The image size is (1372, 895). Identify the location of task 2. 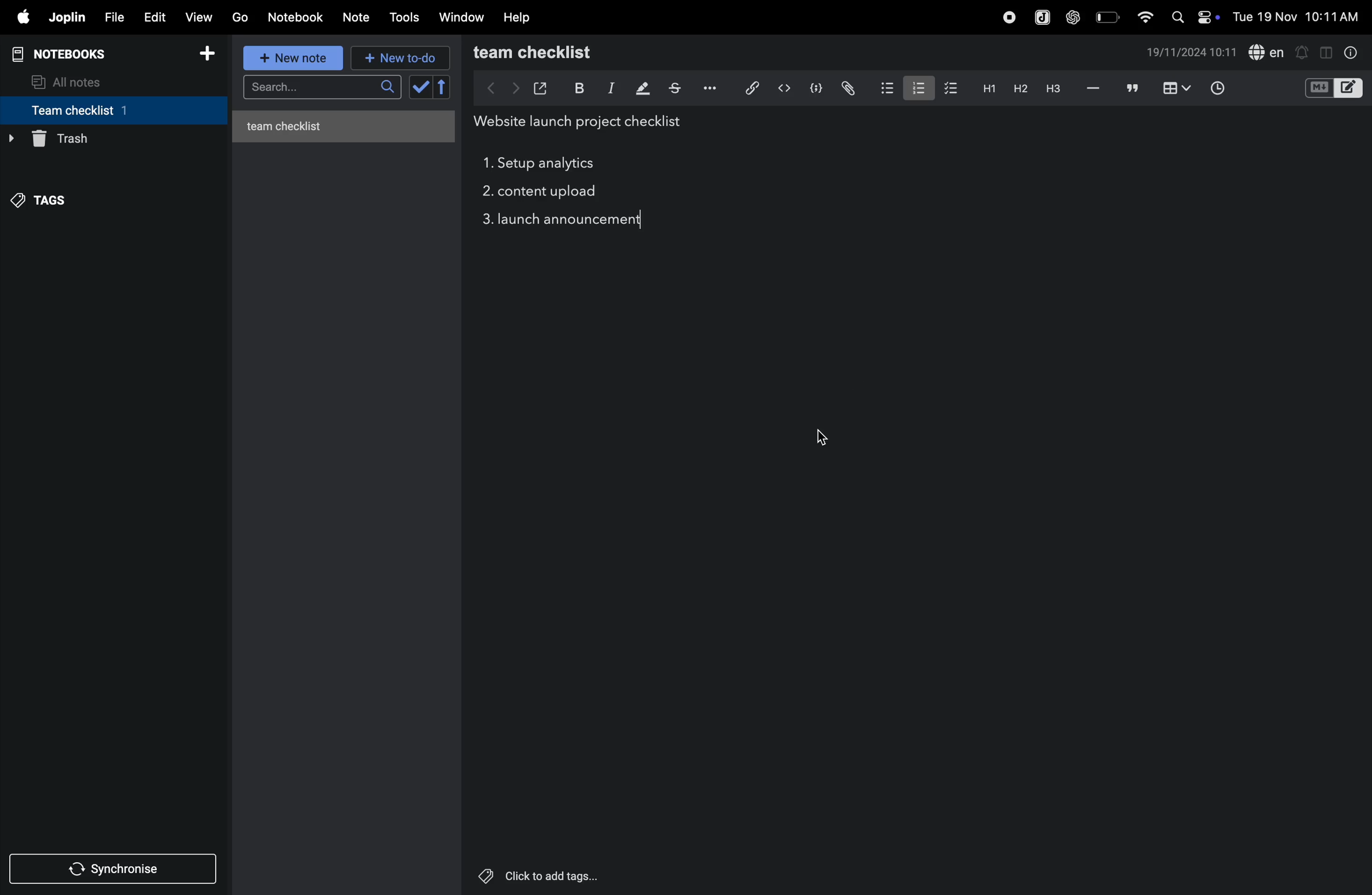
(485, 193).